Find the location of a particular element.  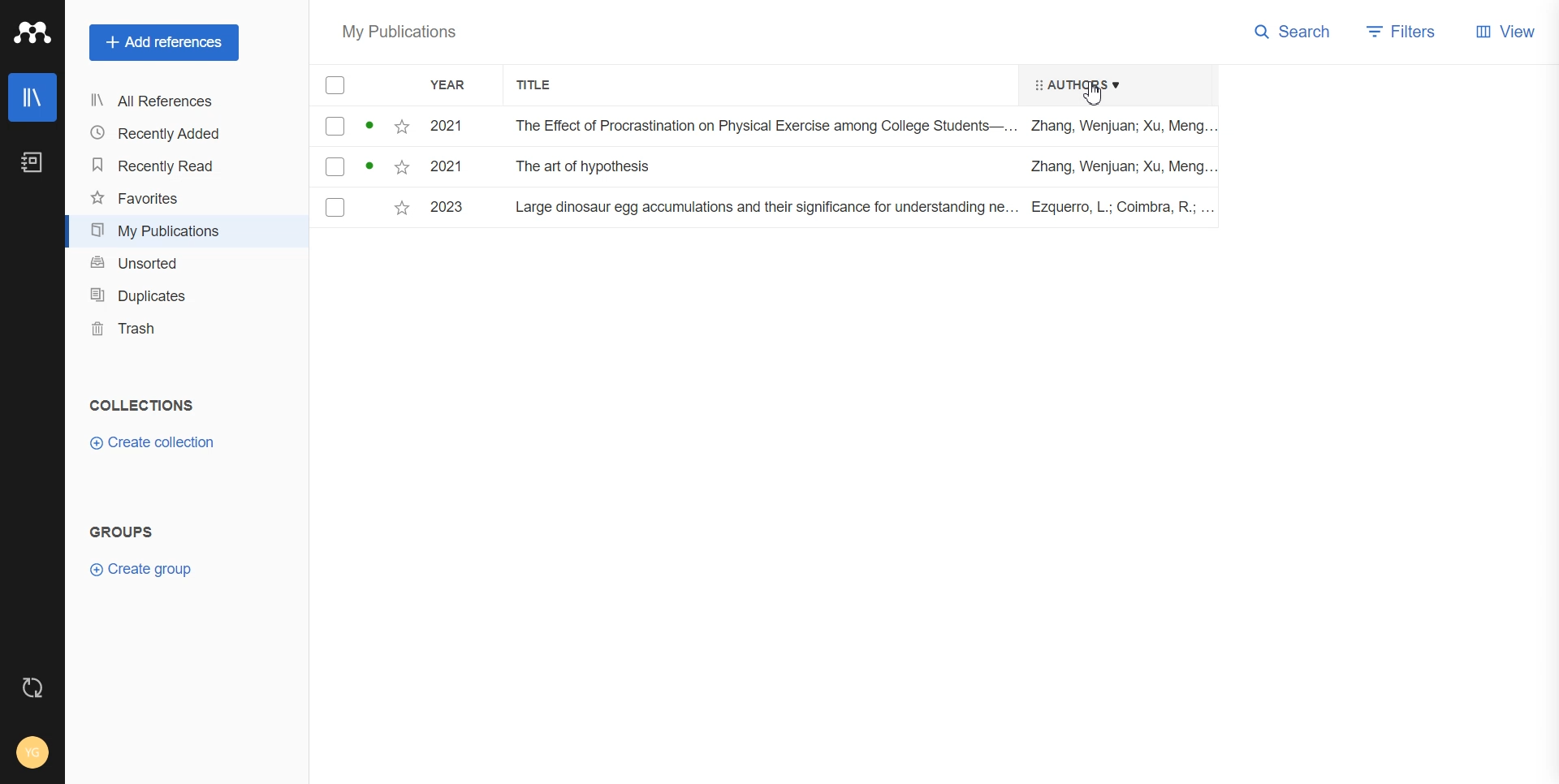

Library is located at coordinates (33, 97).